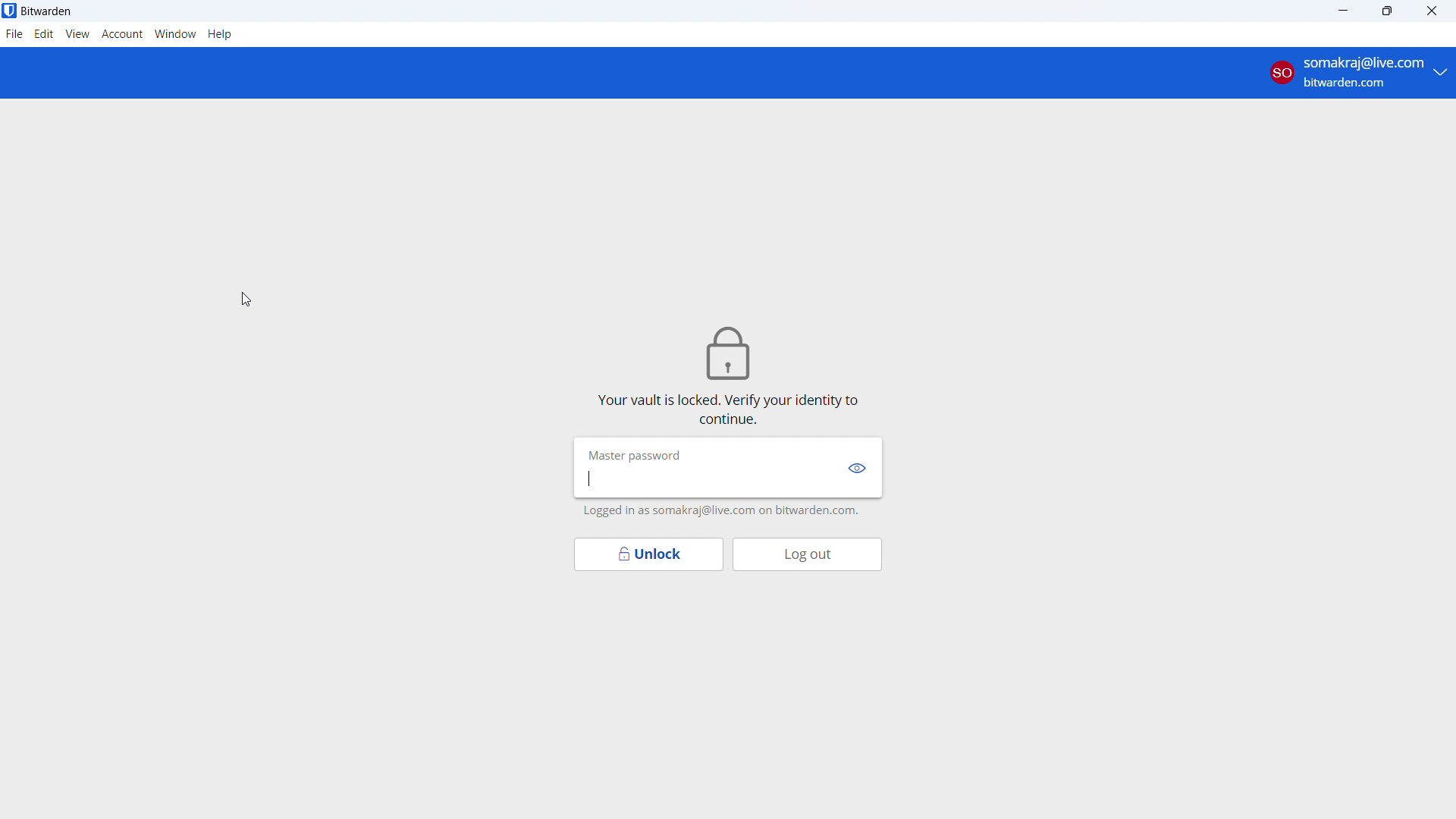 This screenshot has height=819, width=1456. What do you see at coordinates (1346, 11) in the screenshot?
I see `minimize` at bounding box center [1346, 11].